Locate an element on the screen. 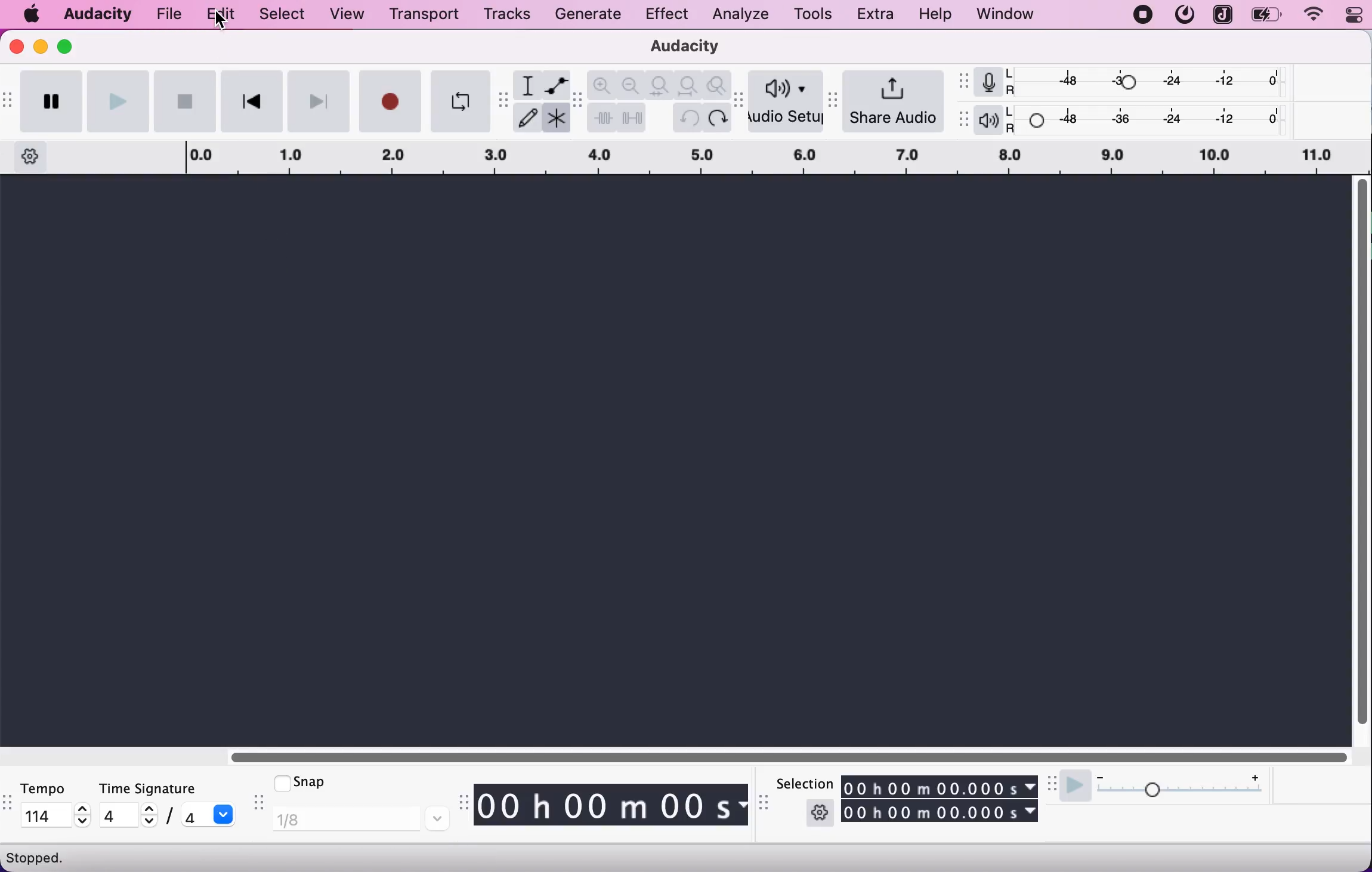 The image size is (1372, 872). audacity edit tool bar is located at coordinates (577, 101).